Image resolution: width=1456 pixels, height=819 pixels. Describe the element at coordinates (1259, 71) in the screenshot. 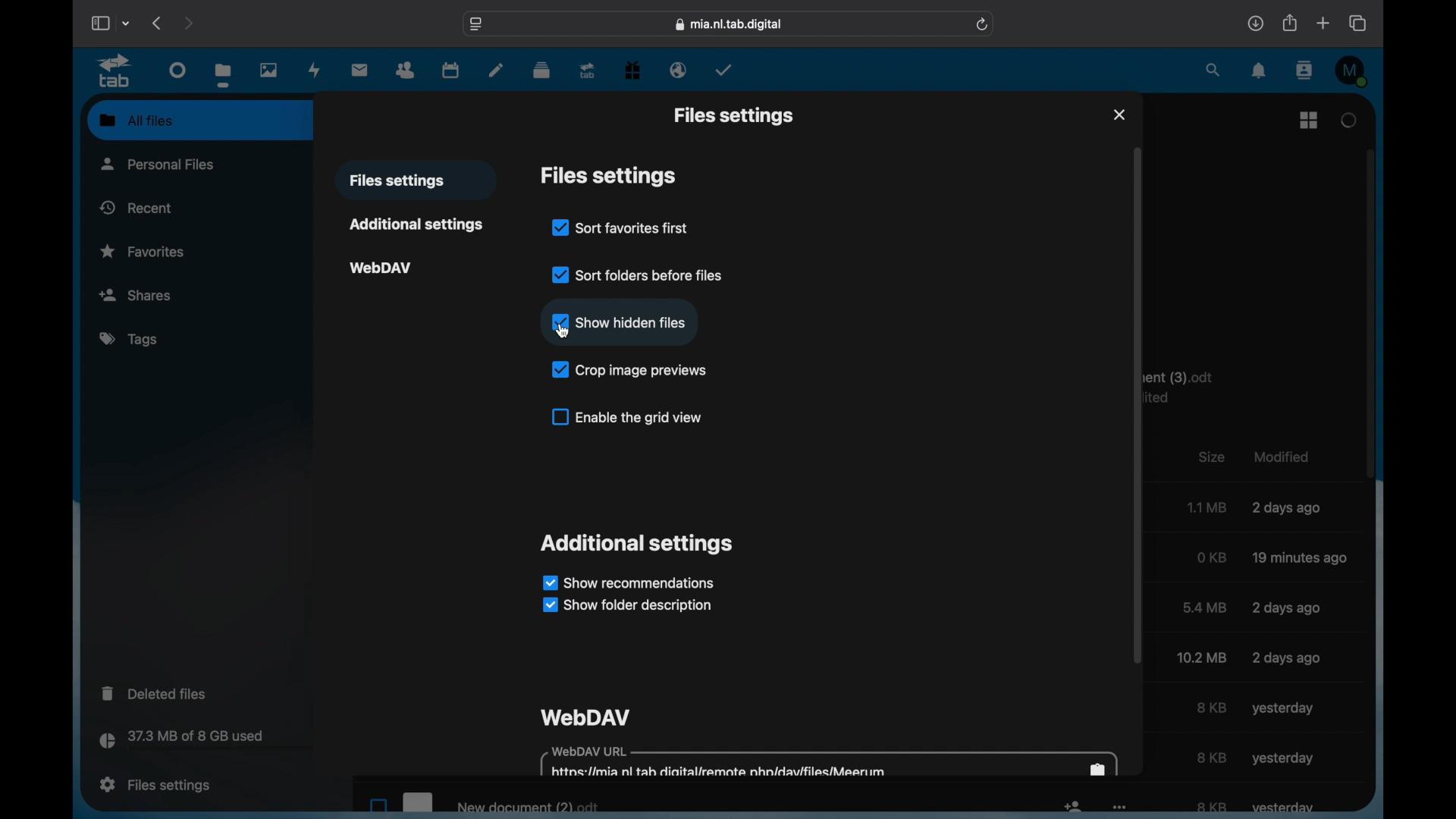

I see `notifications` at that location.